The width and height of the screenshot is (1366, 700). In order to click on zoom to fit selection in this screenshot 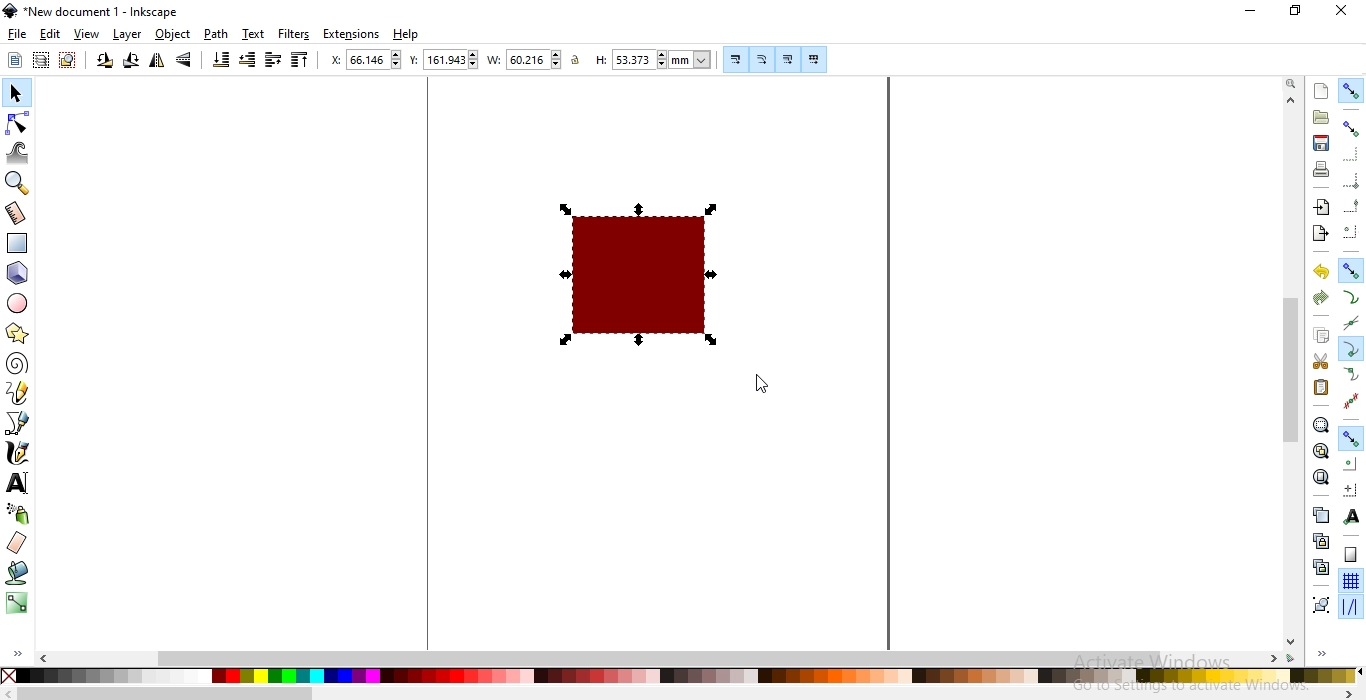, I will do `click(1321, 424)`.